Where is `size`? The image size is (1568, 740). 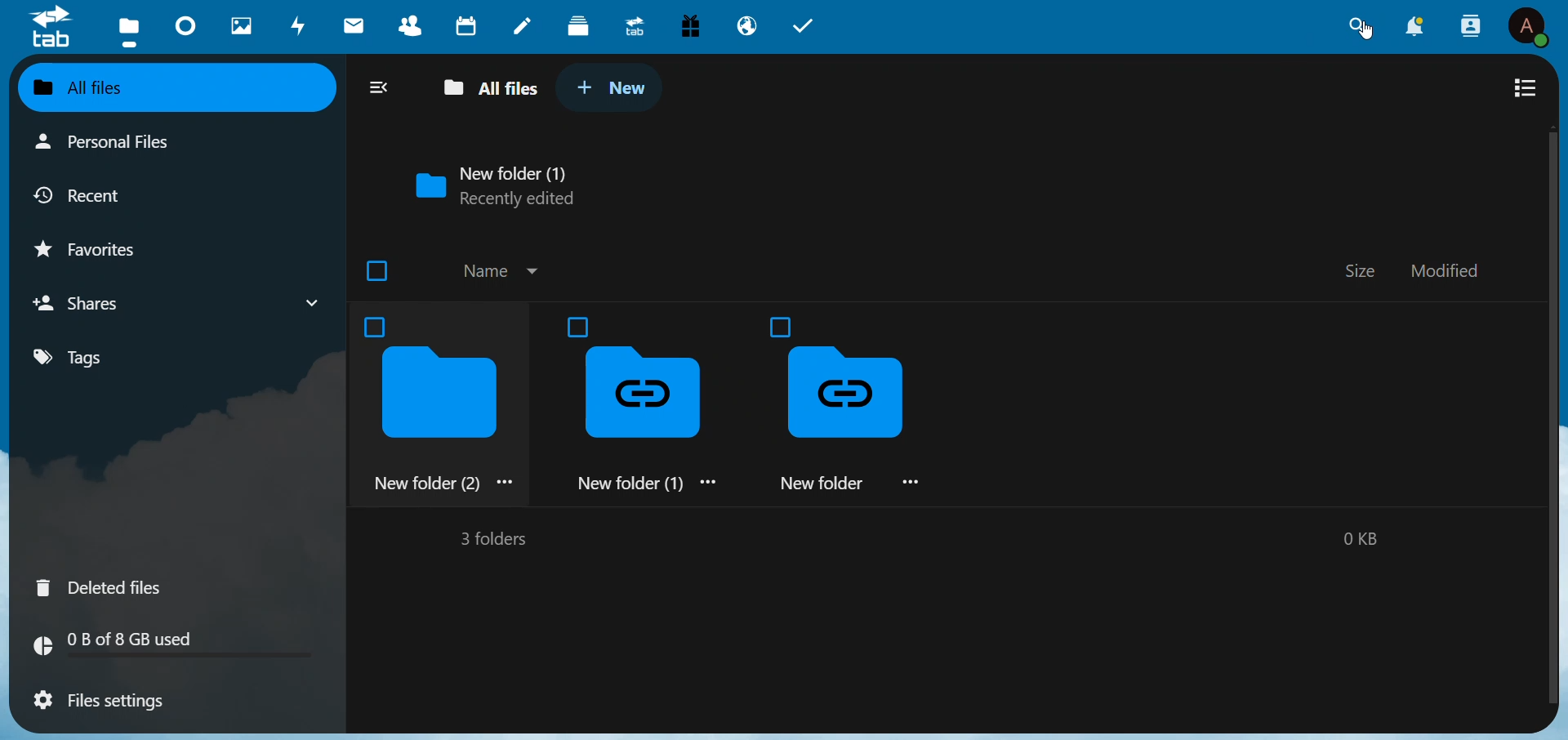
size is located at coordinates (1361, 270).